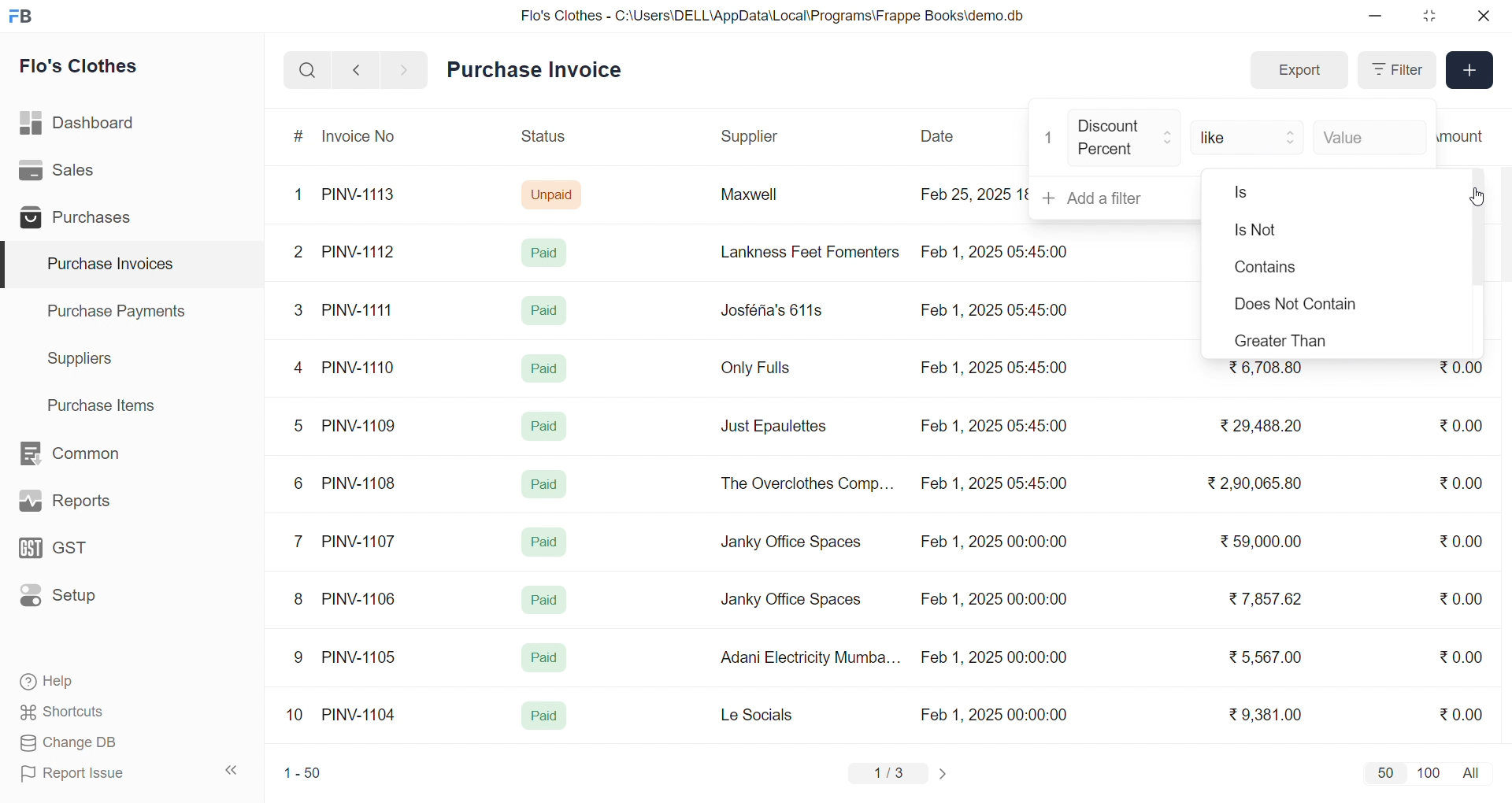  I want to click on ₹9,381.00, so click(1266, 715).